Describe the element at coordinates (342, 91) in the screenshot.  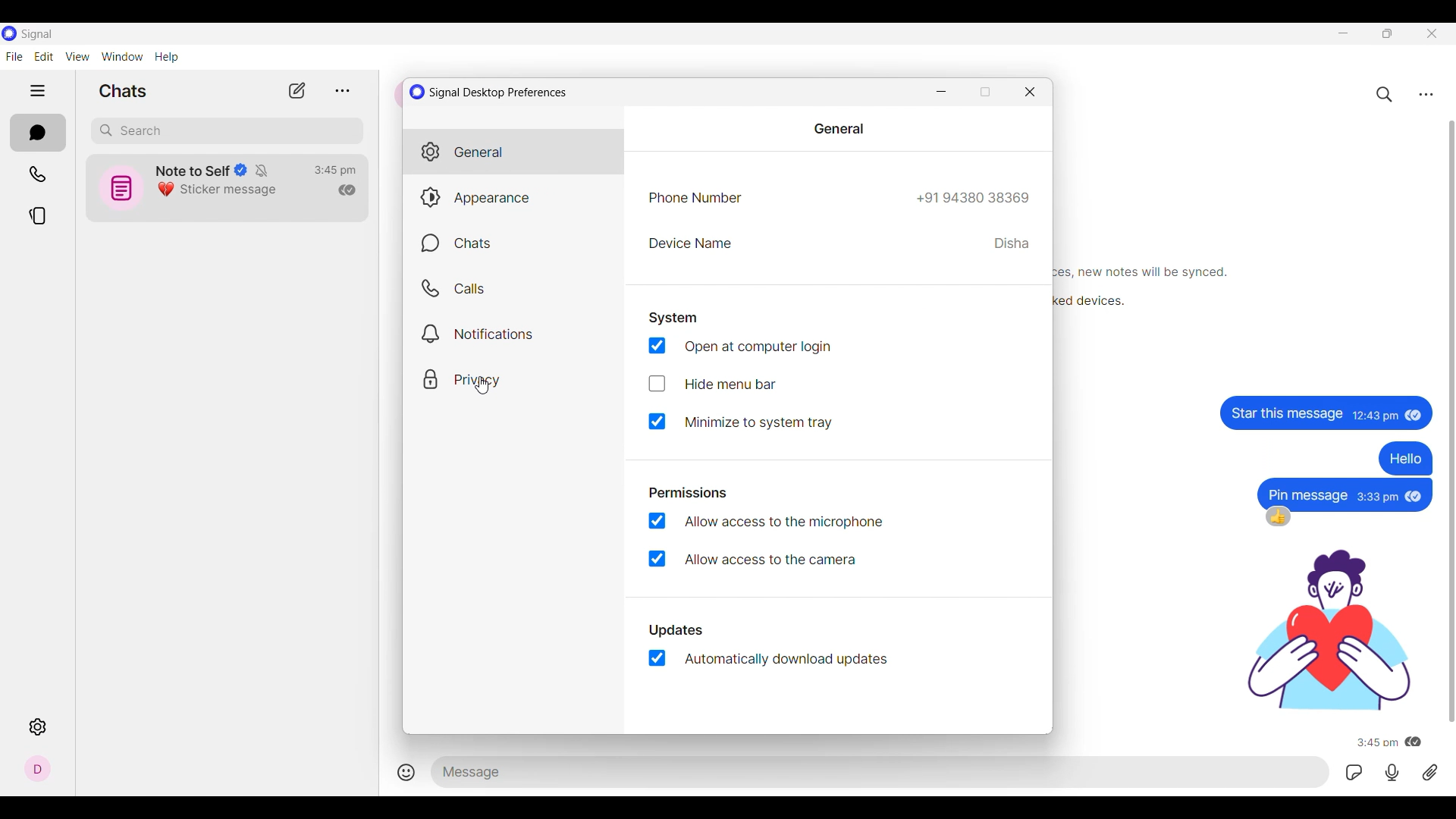
I see `View archive` at that location.